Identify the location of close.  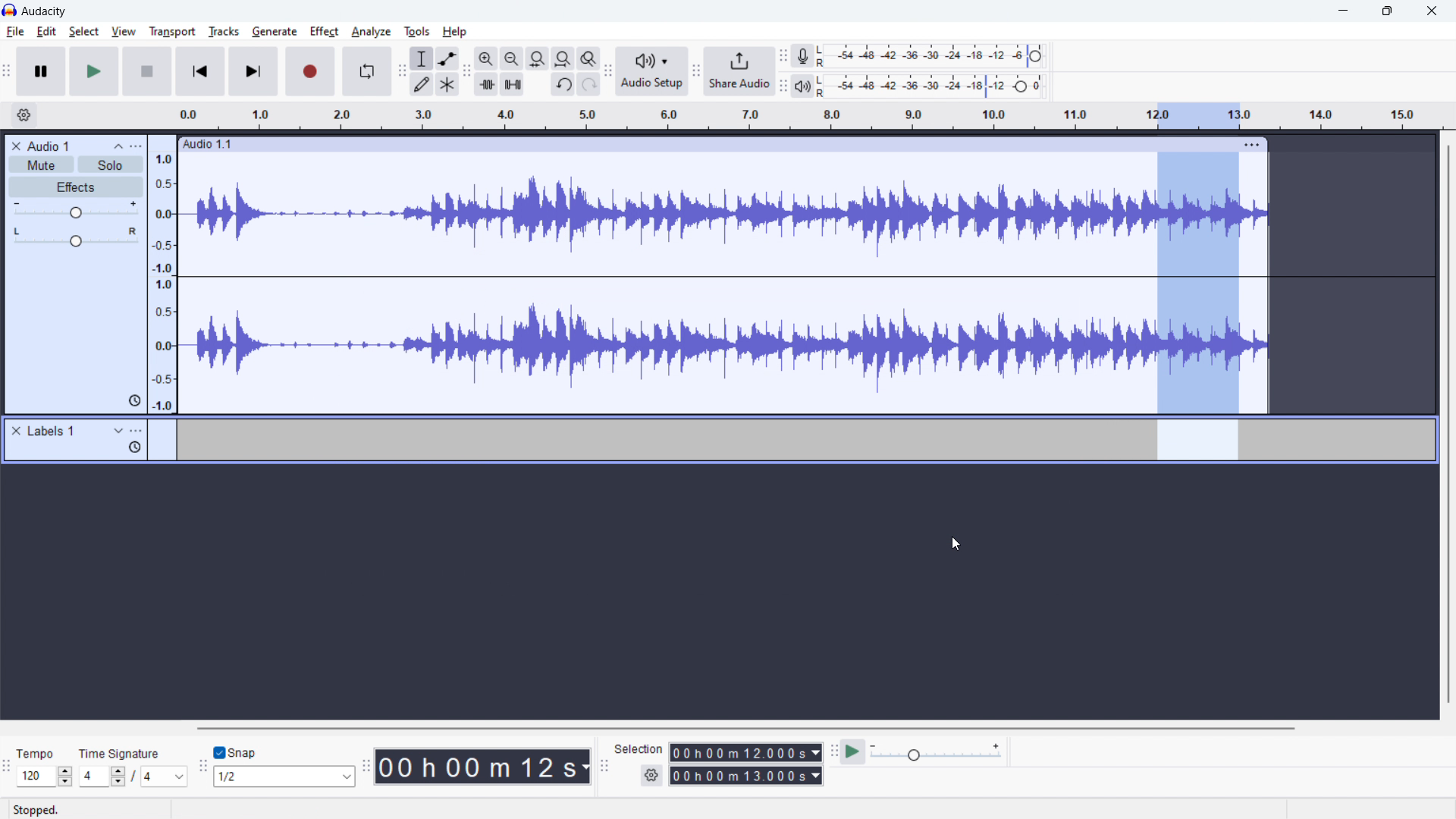
(1432, 11).